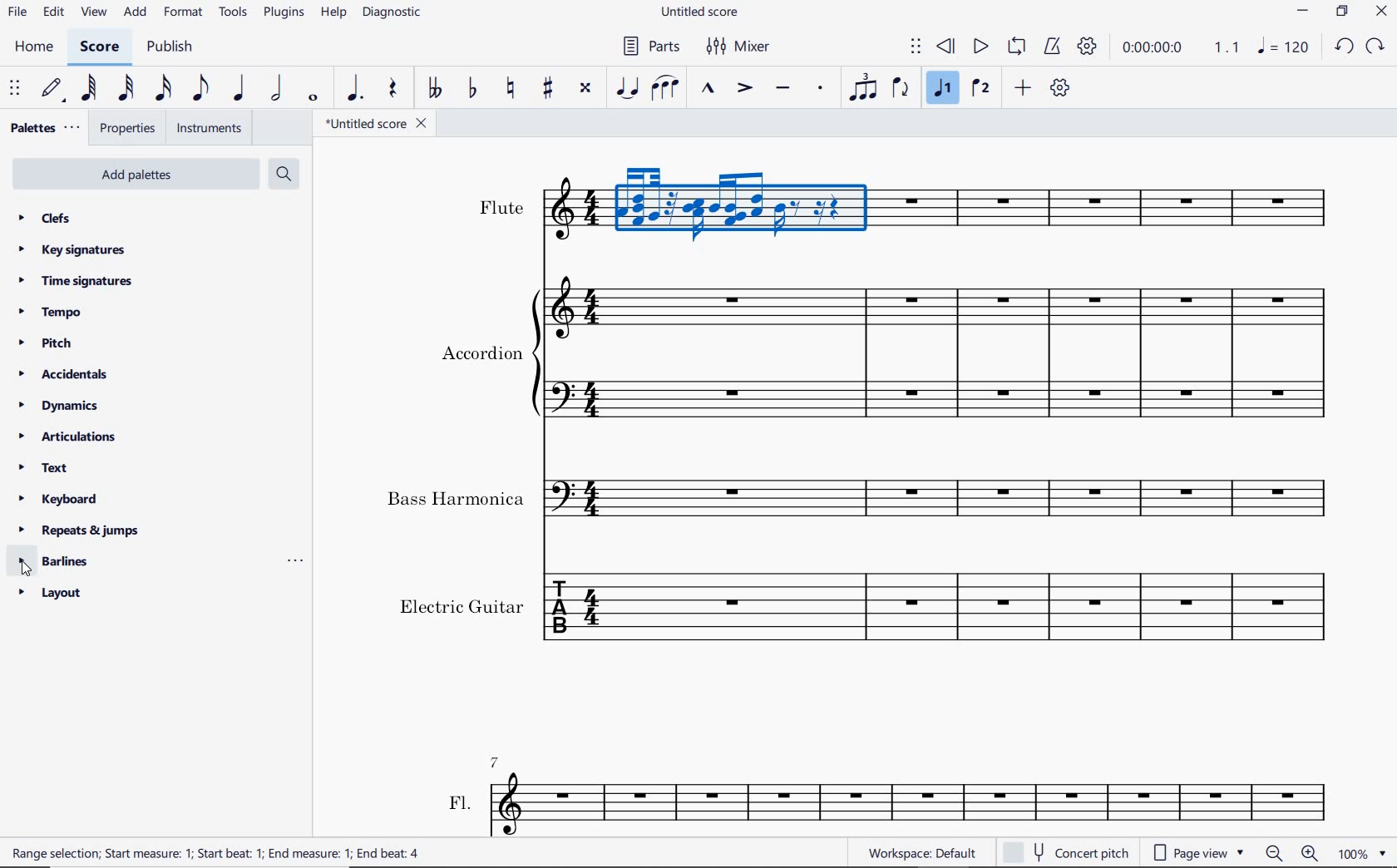 Image resolution: width=1397 pixels, height=868 pixels. What do you see at coordinates (134, 175) in the screenshot?
I see `Add Palettes` at bounding box center [134, 175].